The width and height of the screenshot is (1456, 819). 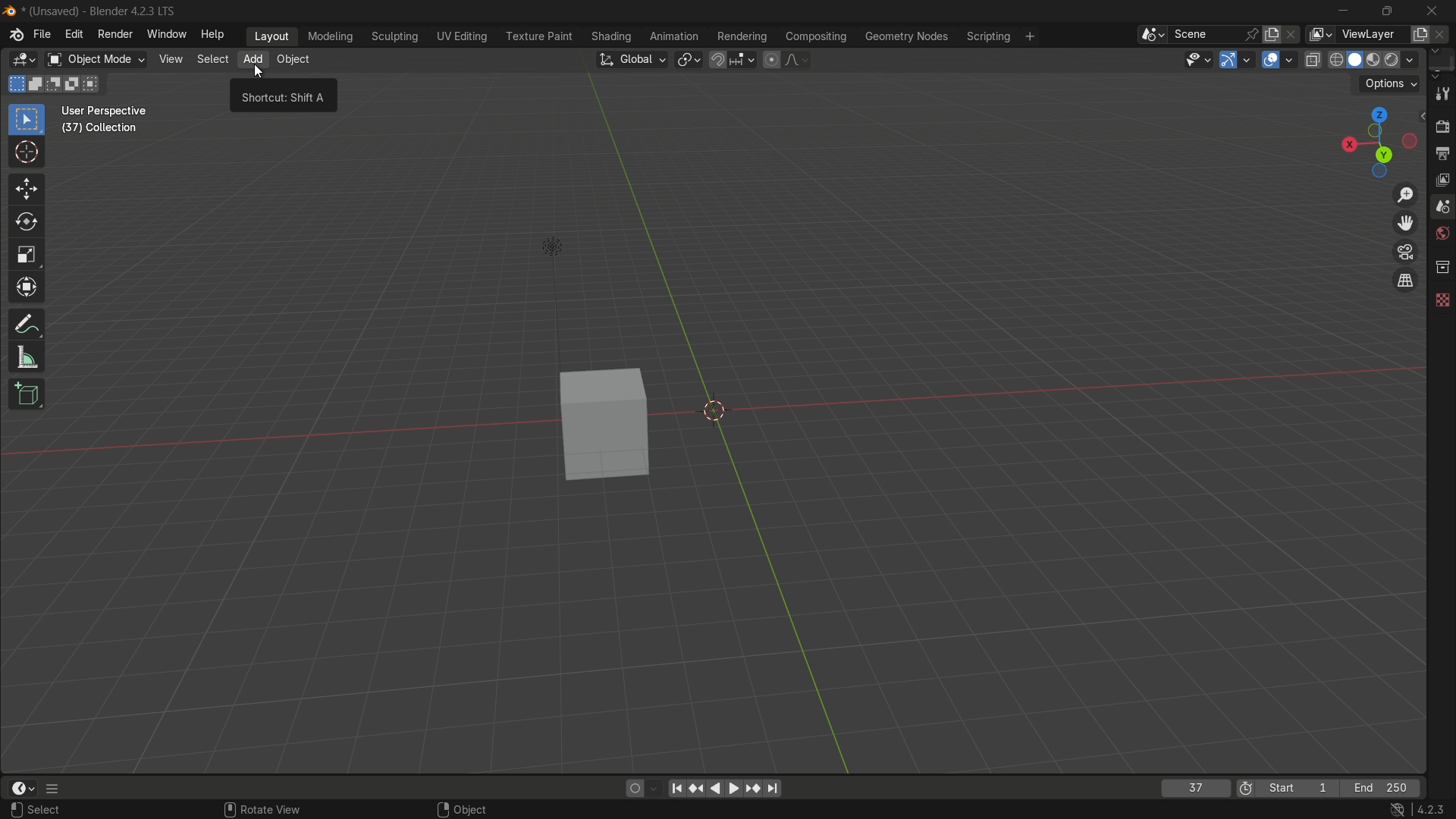 I want to click on render, so click(x=1442, y=123).